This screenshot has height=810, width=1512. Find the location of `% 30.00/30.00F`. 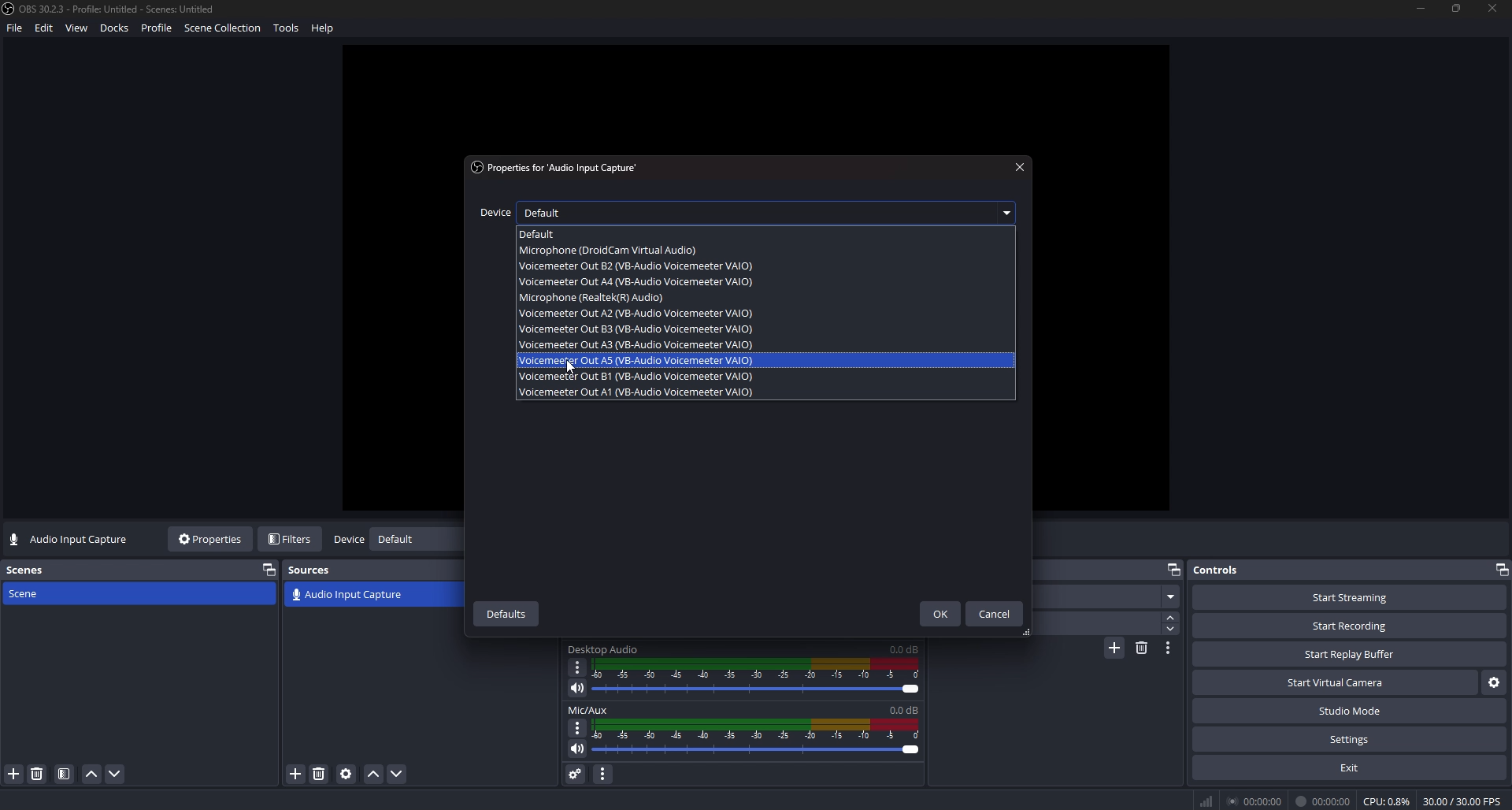

% 30.00/30.00F is located at coordinates (1466, 801).